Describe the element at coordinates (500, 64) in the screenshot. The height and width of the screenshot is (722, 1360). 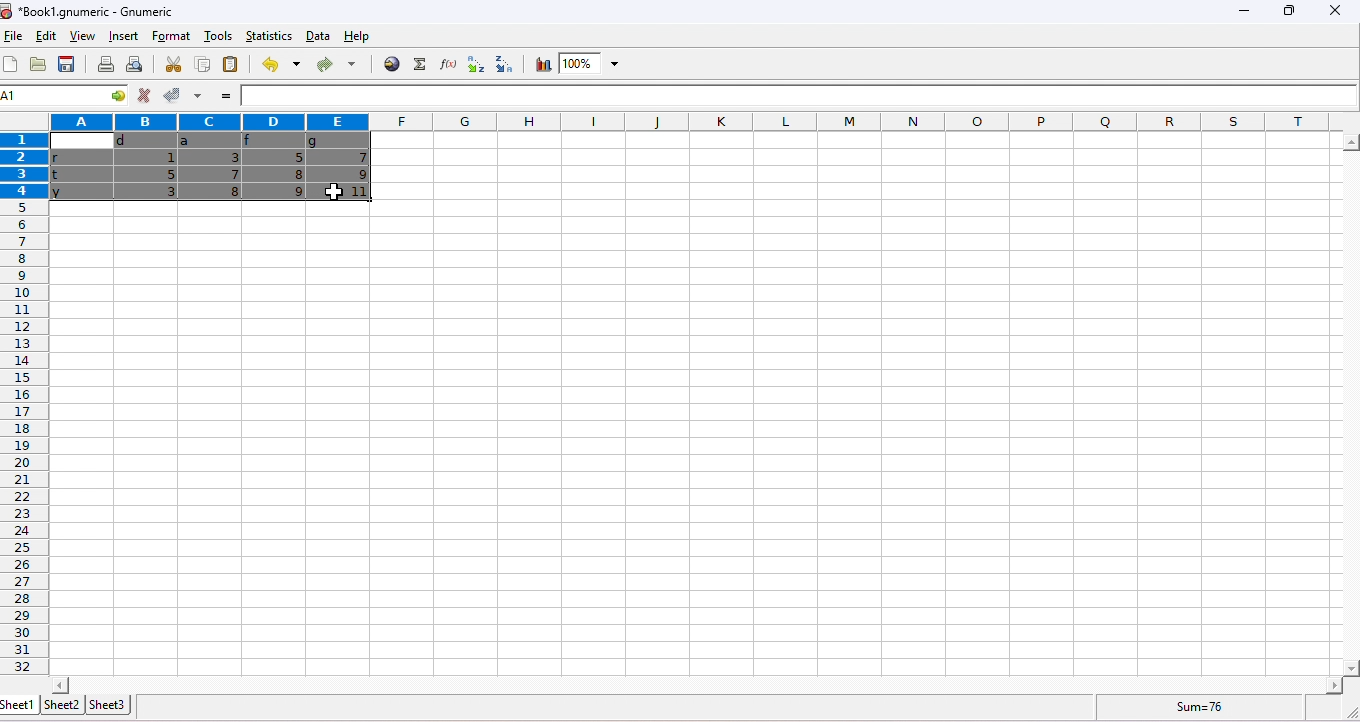
I see `sort descending` at that location.